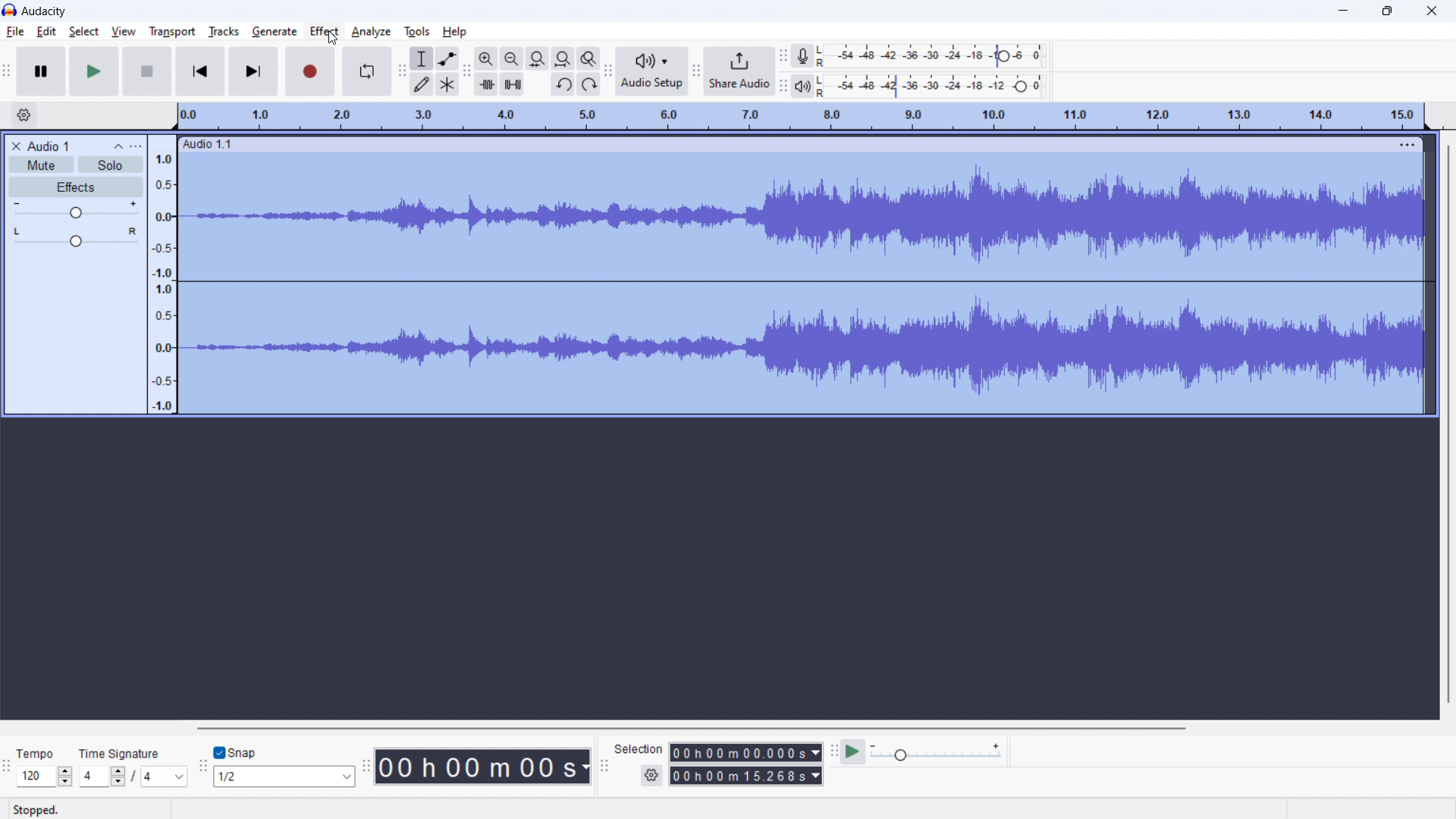 This screenshot has width=1456, height=819. Describe the element at coordinates (135, 146) in the screenshot. I see `view menu` at that location.